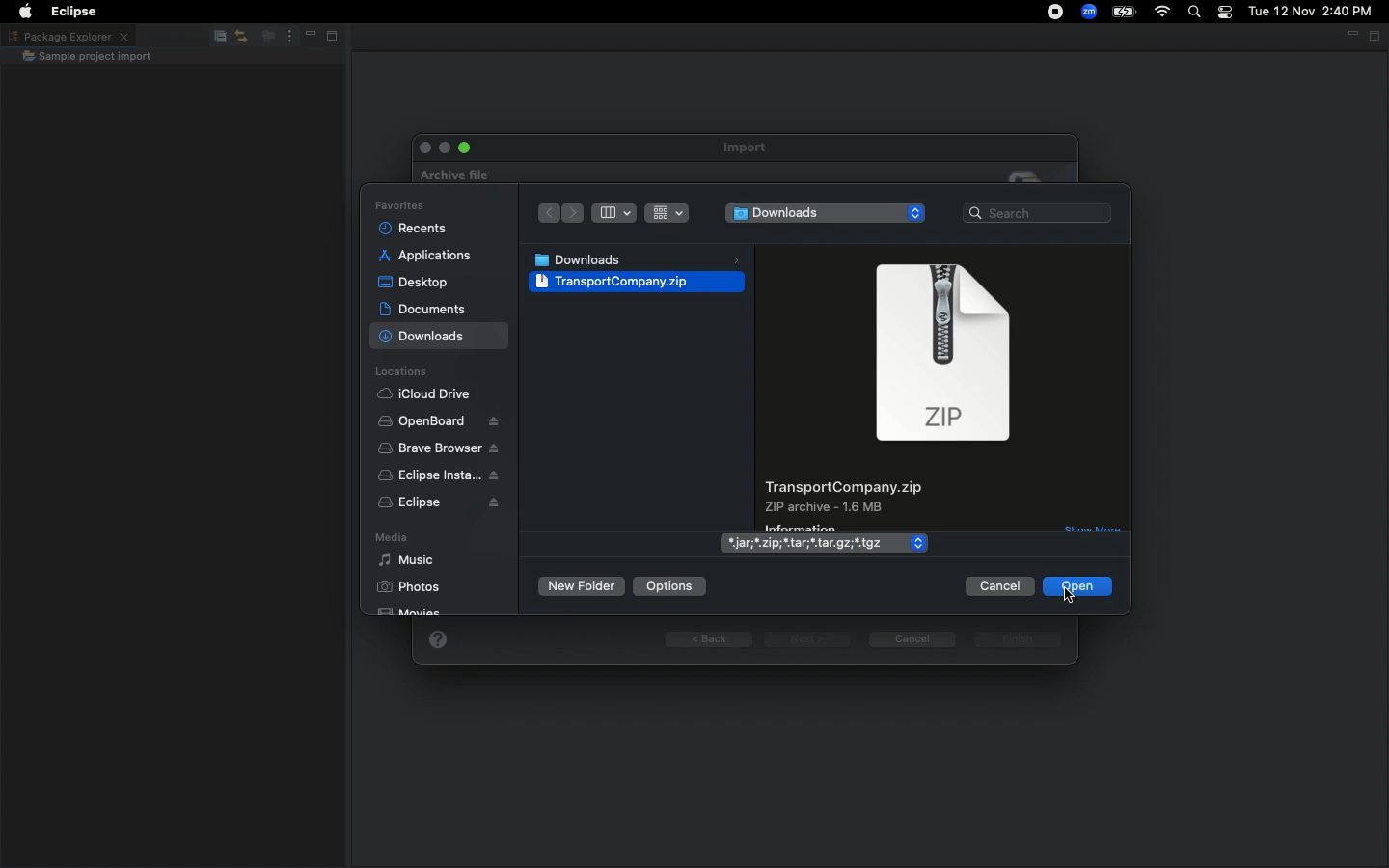  What do you see at coordinates (750, 148) in the screenshot?
I see `import` at bounding box center [750, 148].